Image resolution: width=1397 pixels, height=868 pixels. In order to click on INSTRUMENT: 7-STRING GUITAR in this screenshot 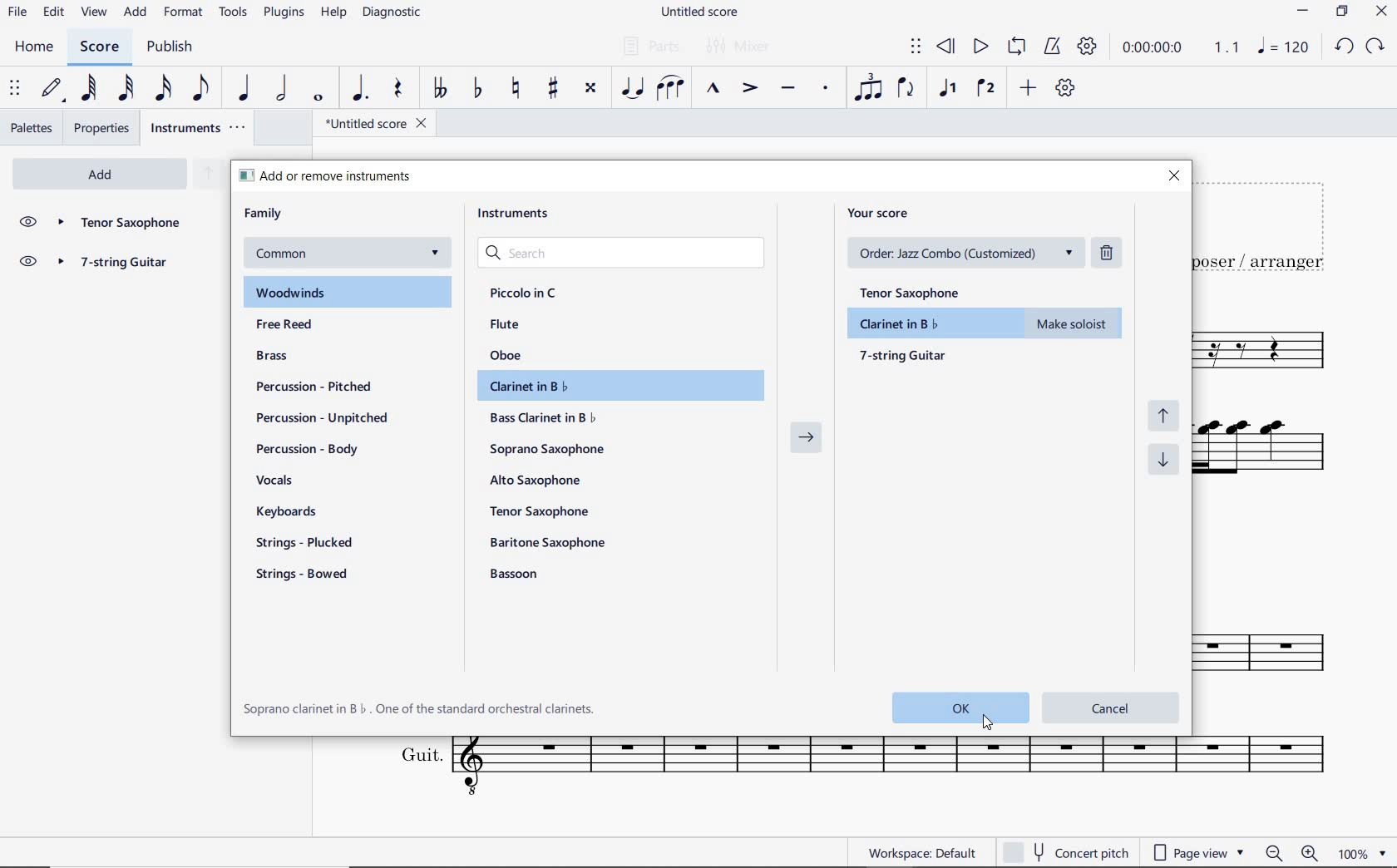, I will do `click(1275, 455)`.